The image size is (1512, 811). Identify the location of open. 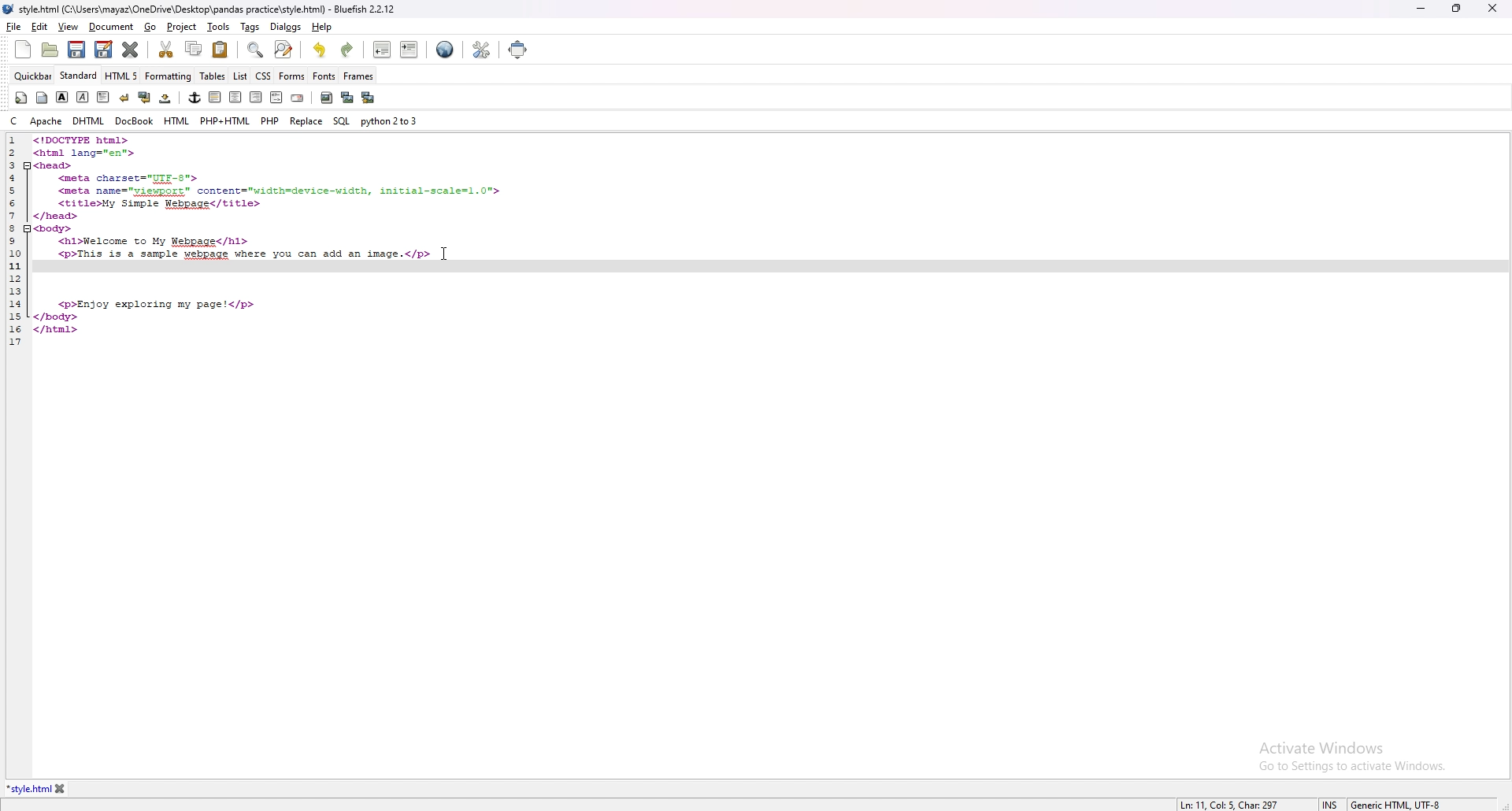
(50, 50).